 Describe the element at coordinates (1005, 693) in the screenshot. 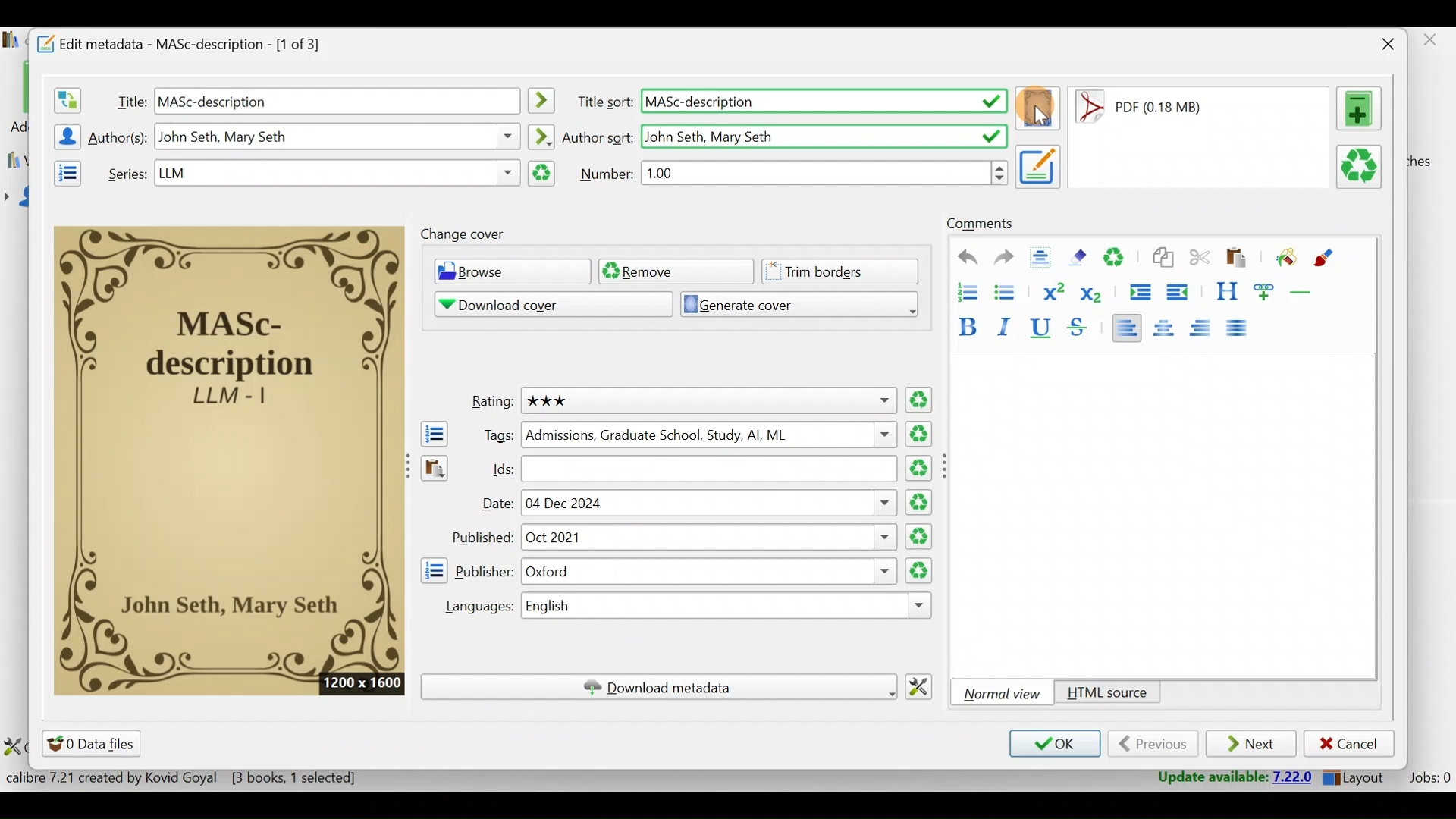

I see `Normal view` at that location.